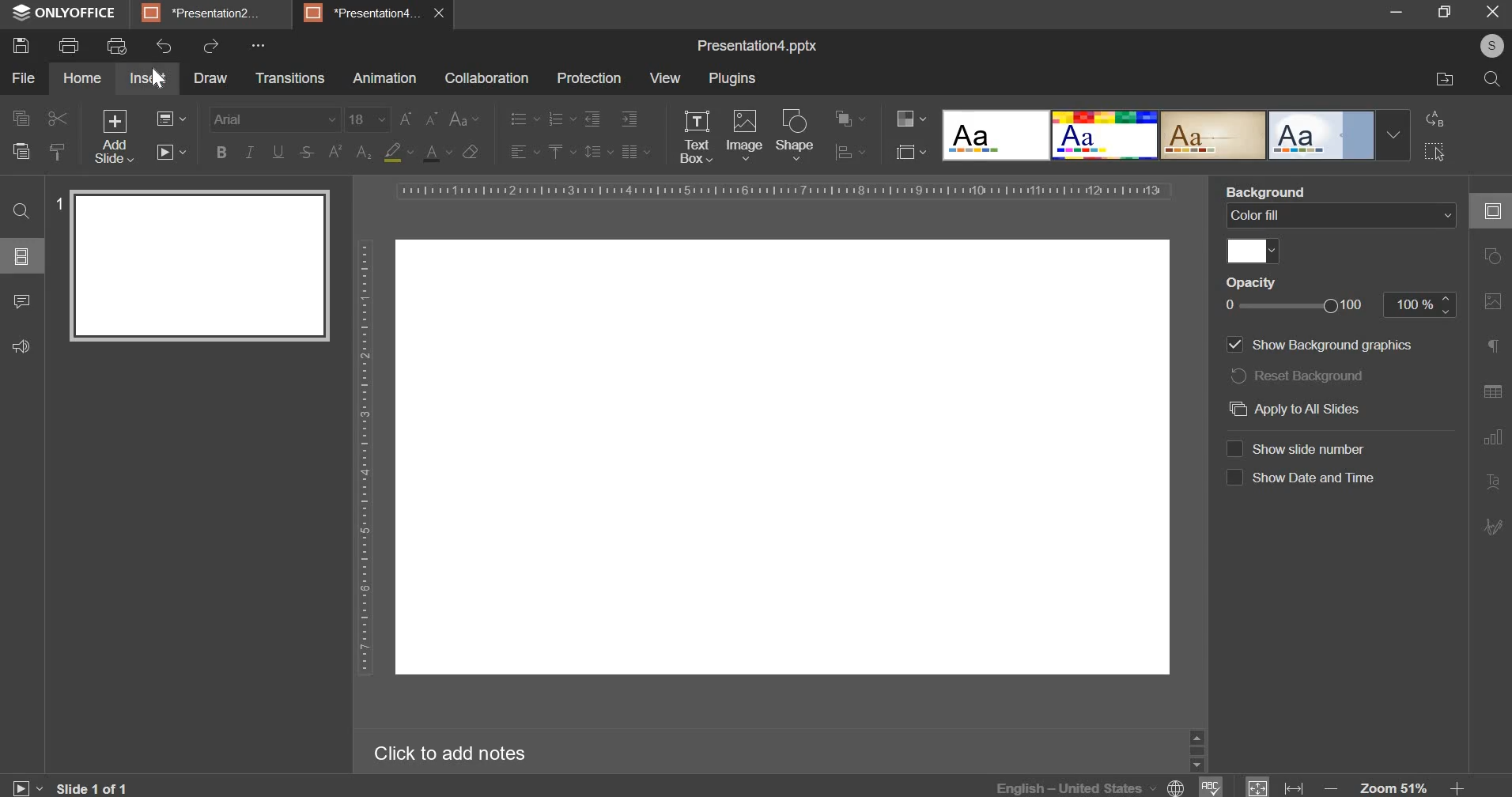  What do you see at coordinates (172, 119) in the screenshot?
I see `change slide layout` at bounding box center [172, 119].